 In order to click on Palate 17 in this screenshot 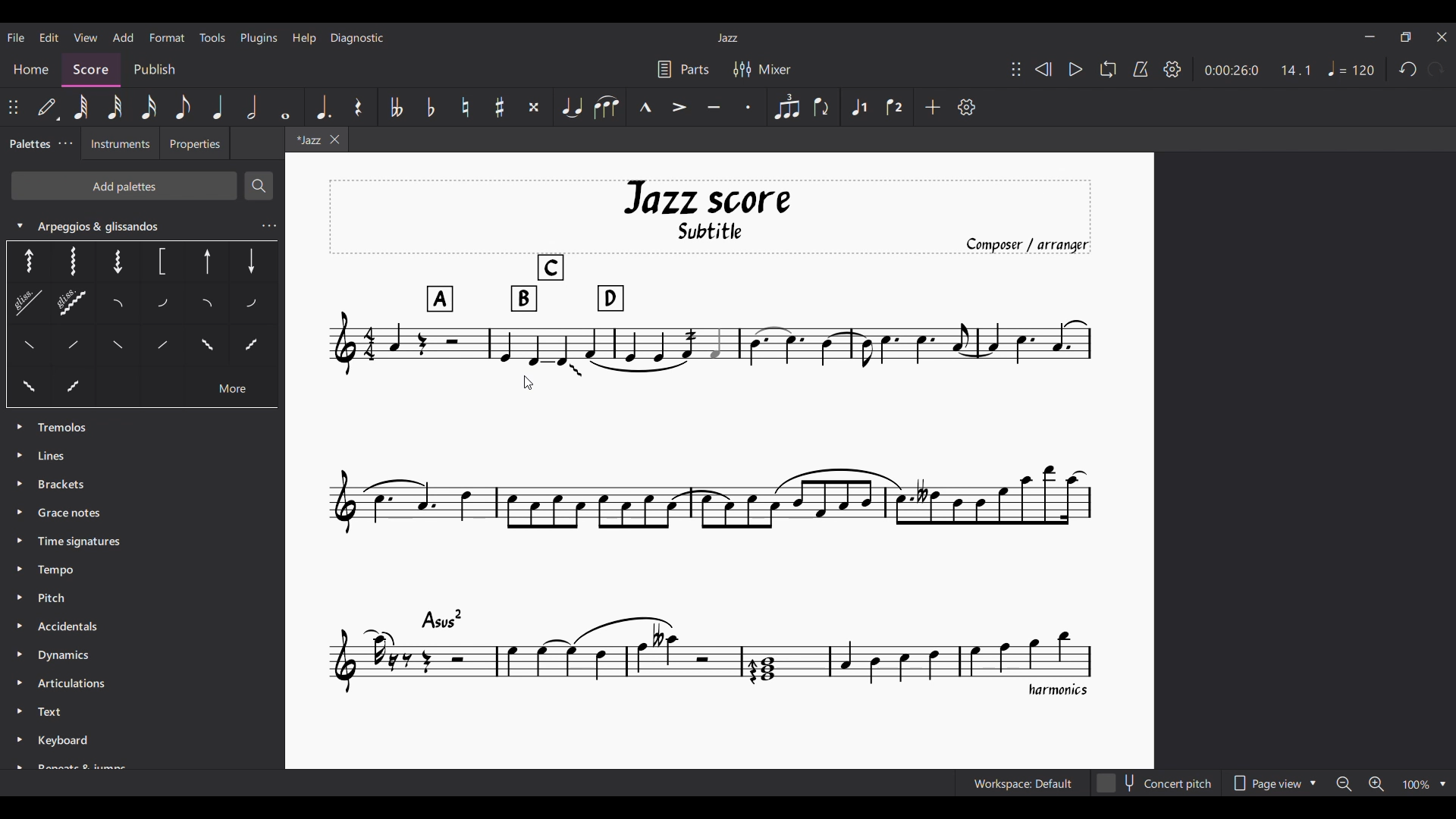, I will do `click(252, 350)`.